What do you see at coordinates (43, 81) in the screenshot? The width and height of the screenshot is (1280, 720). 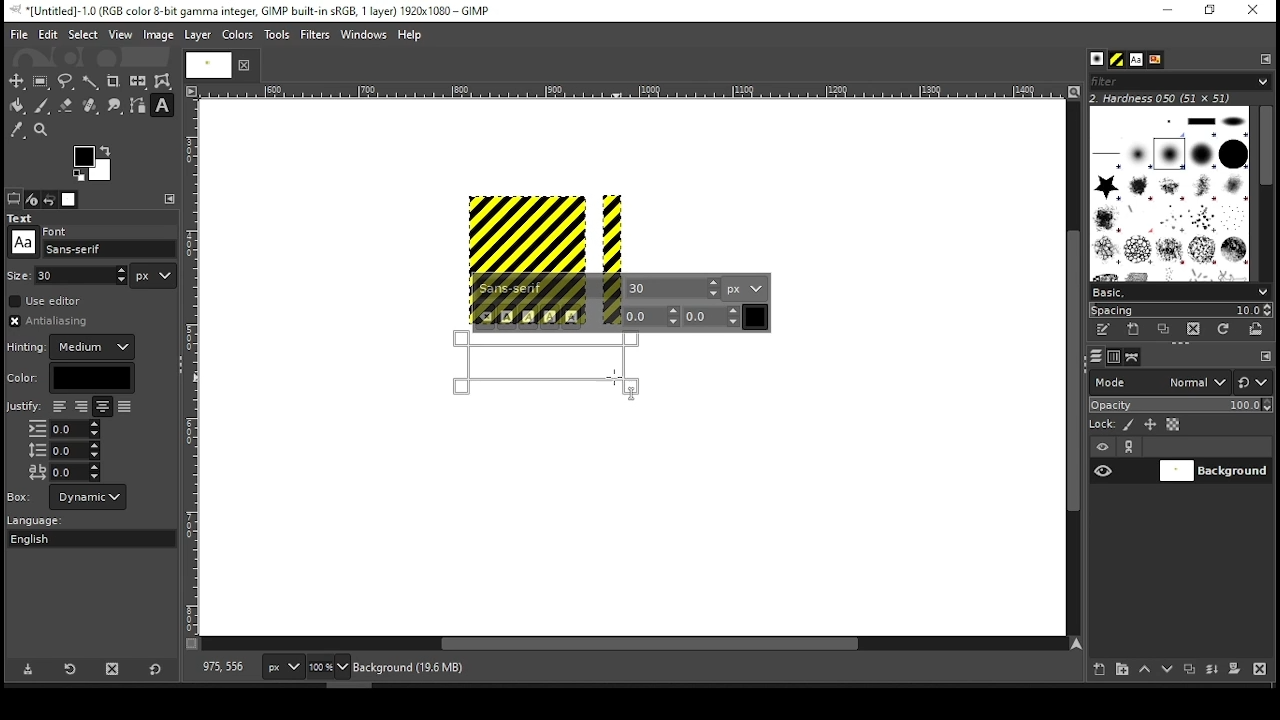 I see `rectangular selection tool` at bounding box center [43, 81].